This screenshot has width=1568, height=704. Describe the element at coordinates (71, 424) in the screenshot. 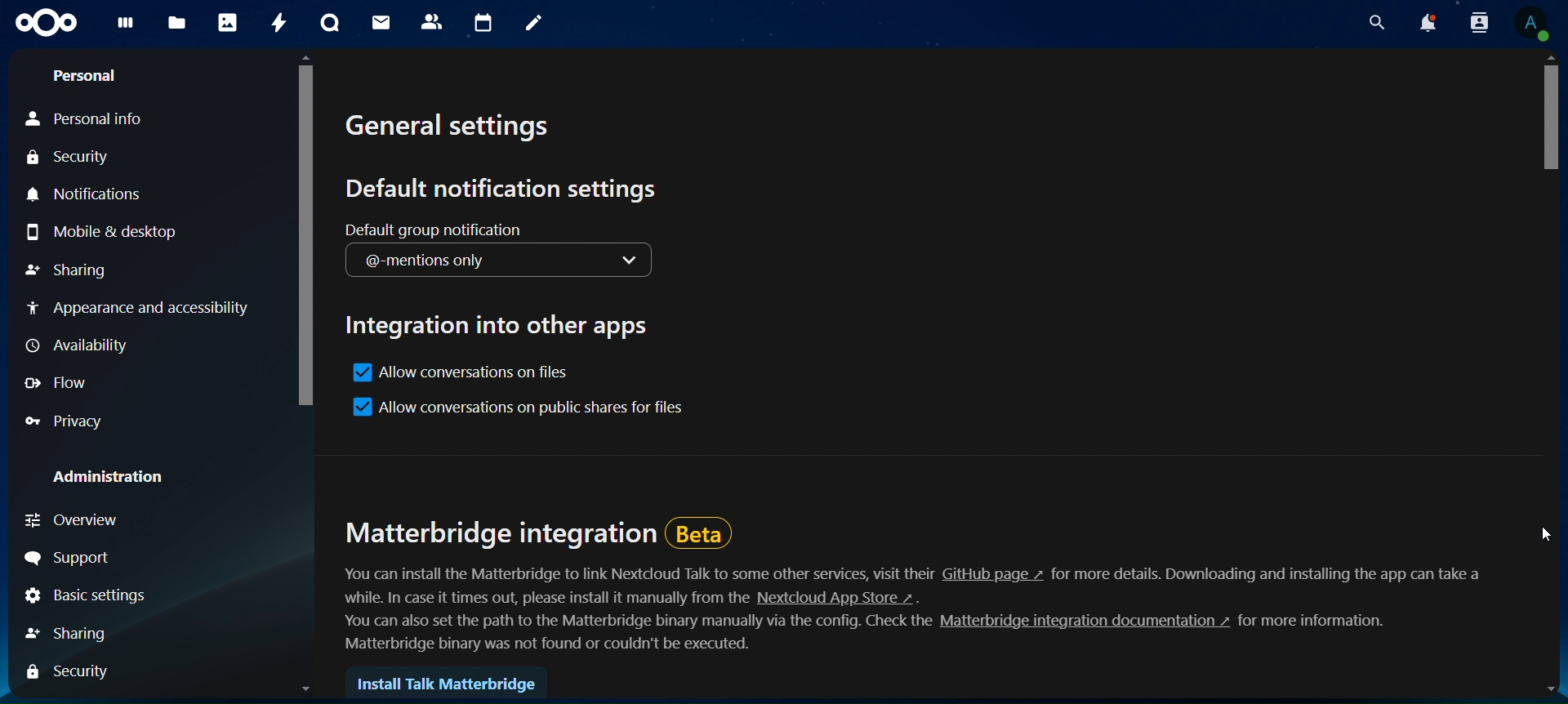

I see `privacy` at that location.